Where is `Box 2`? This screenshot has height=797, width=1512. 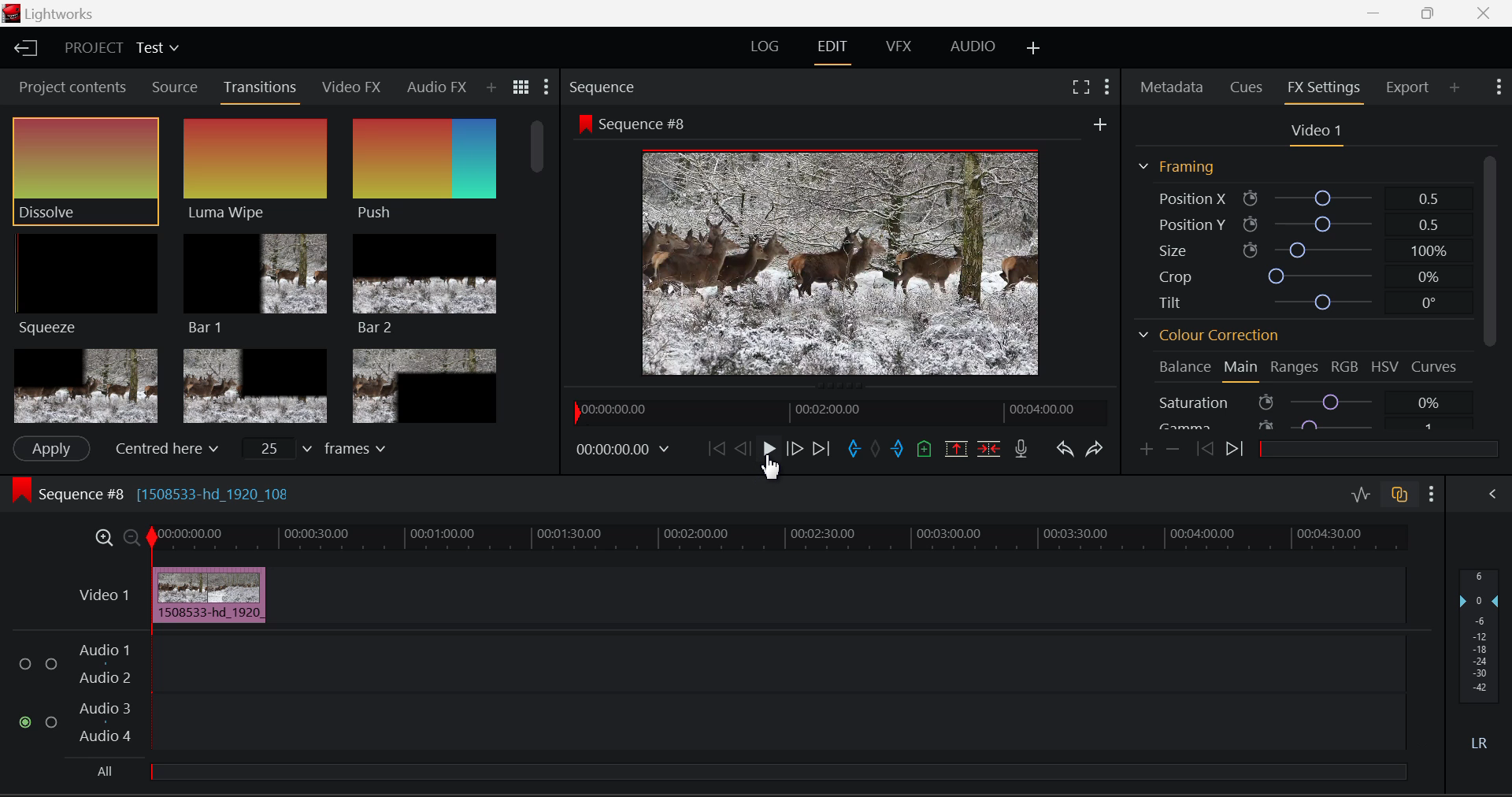 Box 2 is located at coordinates (255, 384).